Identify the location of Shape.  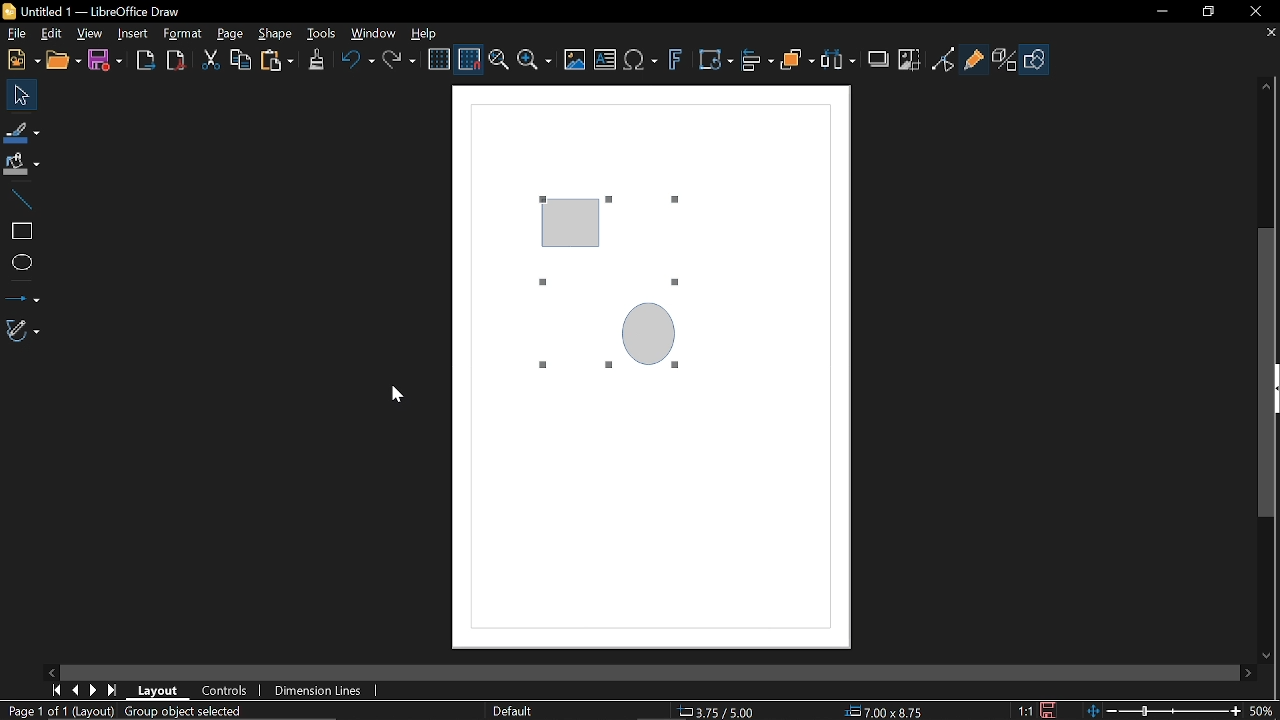
(275, 36).